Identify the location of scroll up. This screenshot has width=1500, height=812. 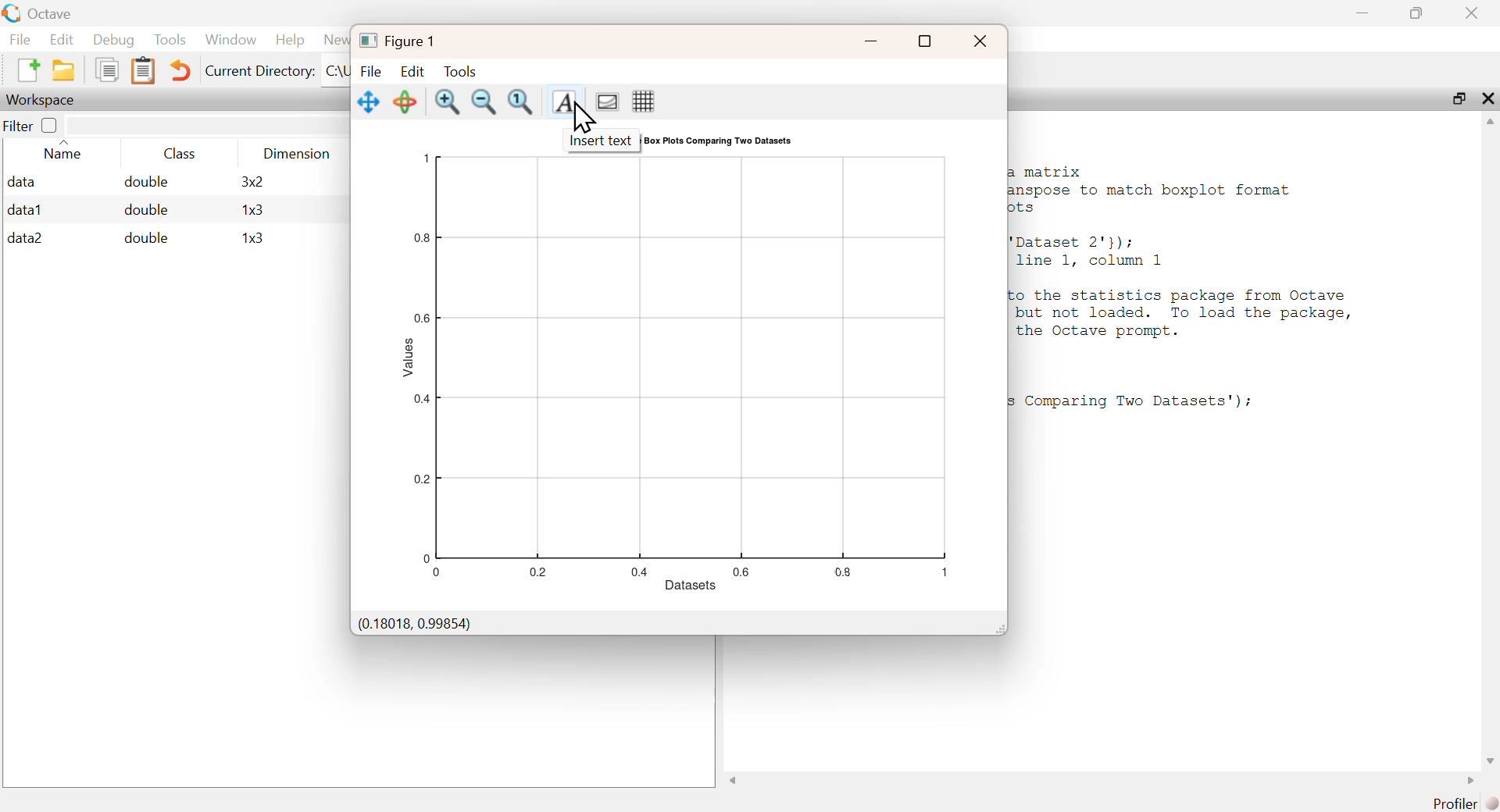
(1488, 124).